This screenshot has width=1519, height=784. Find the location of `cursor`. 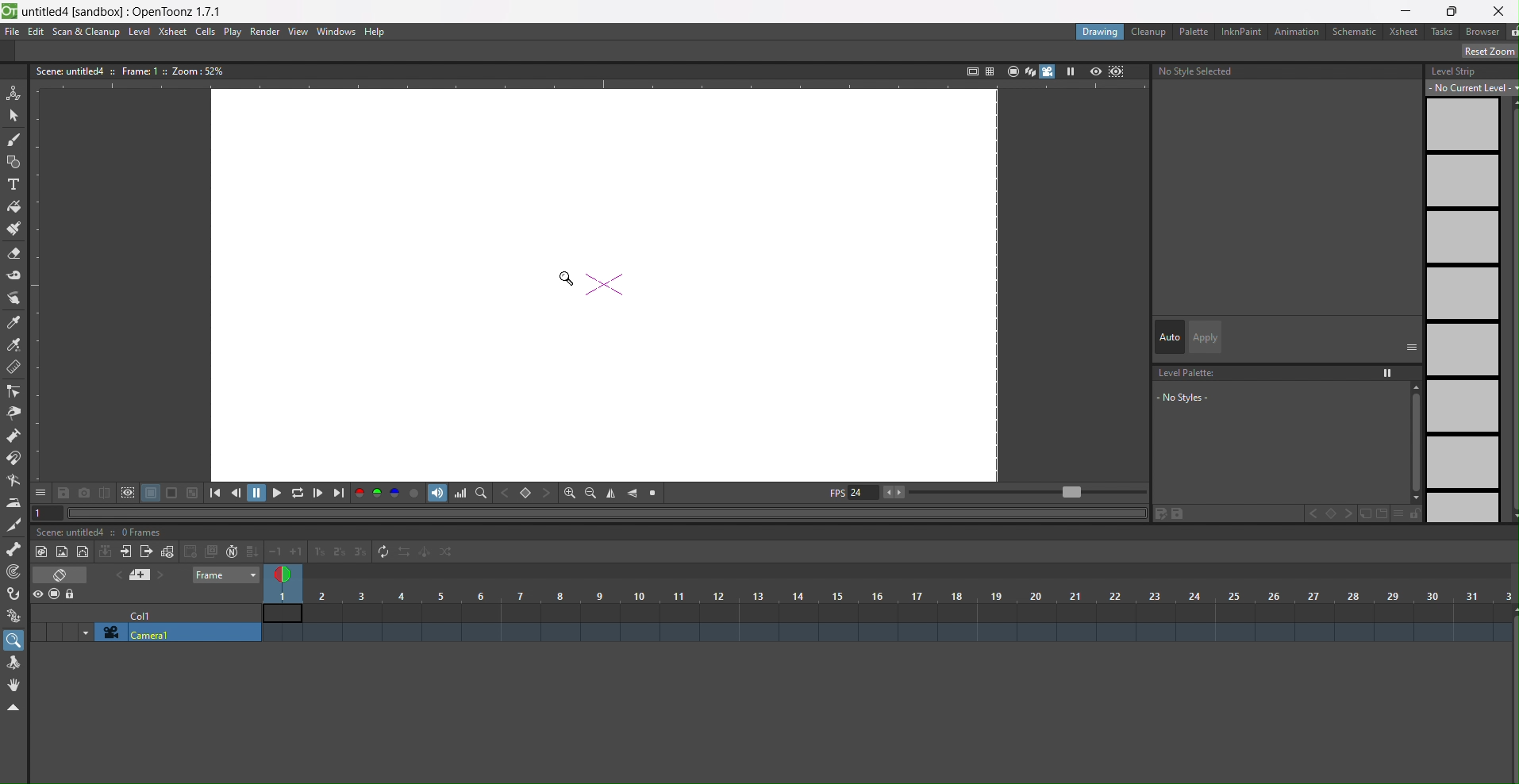

cursor is located at coordinates (566, 279).